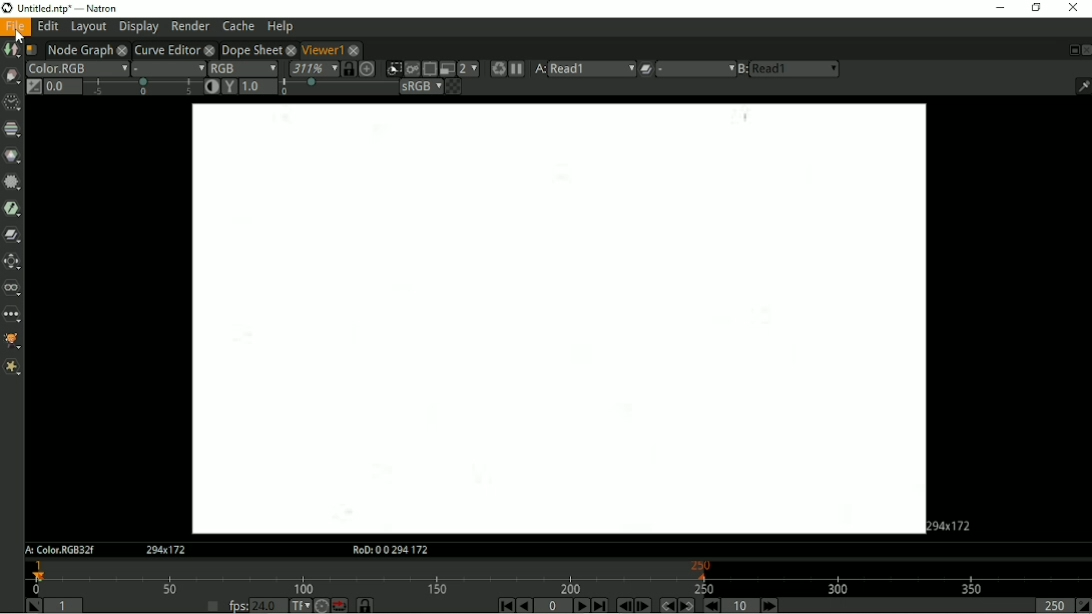 This screenshot has height=614, width=1092. What do you see at coordinates (267, 605) in the screenshot?
I see `24` at bounding box center [267, 605].